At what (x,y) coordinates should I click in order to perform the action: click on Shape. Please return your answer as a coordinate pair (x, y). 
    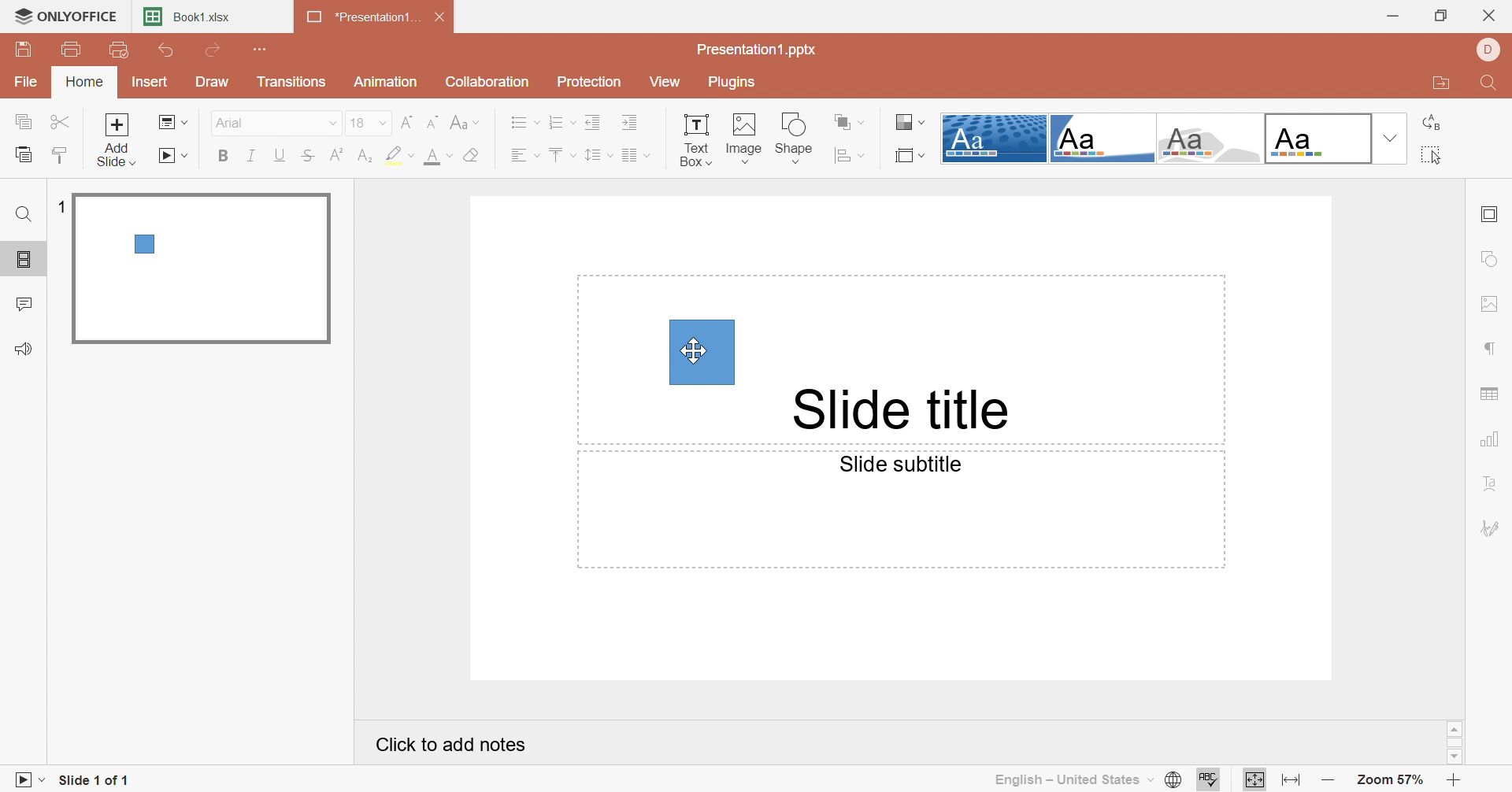
    Looking at the image, I should click on (797, 136).